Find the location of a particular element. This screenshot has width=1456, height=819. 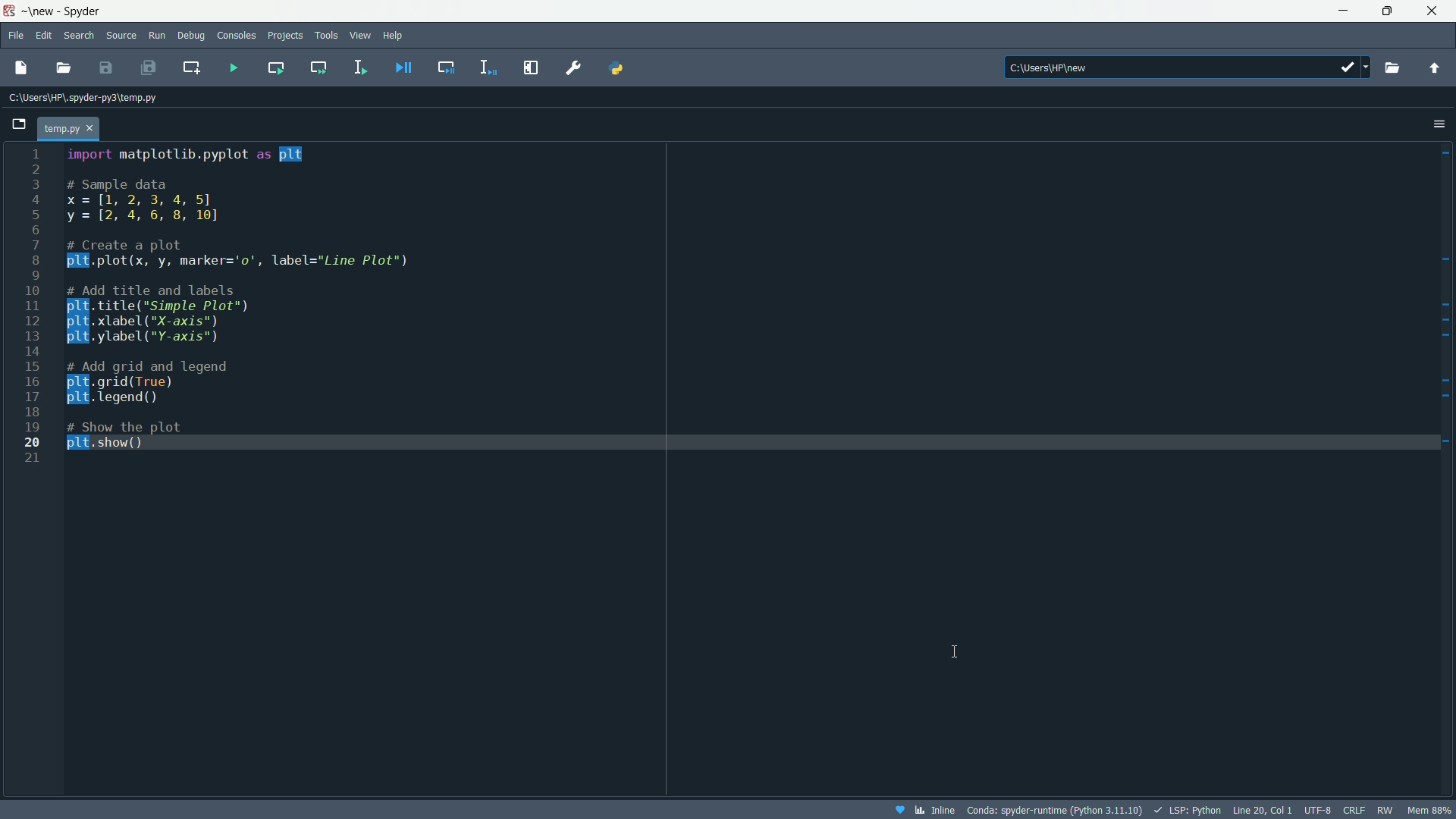

memory usage is located at coordinates (1432, 810).